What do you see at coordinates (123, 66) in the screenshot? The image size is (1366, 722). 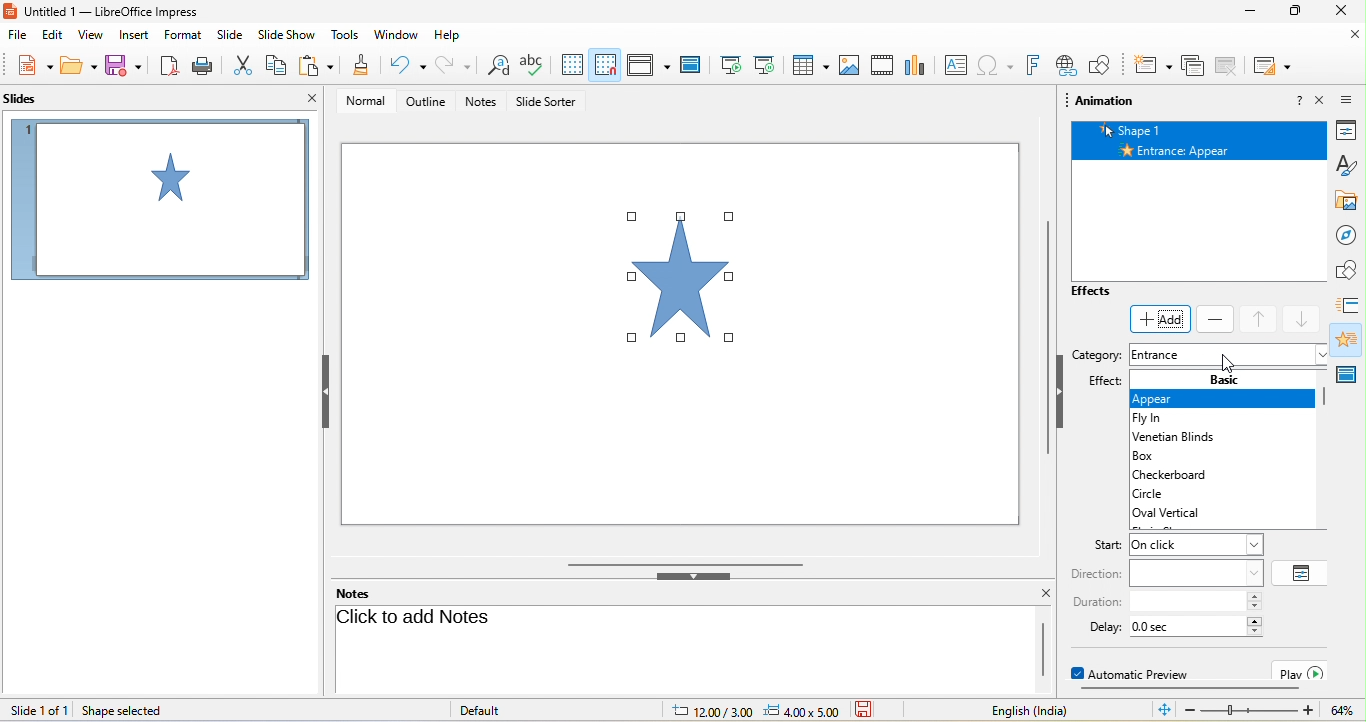 I see `save` at bounding box center [123, 66].